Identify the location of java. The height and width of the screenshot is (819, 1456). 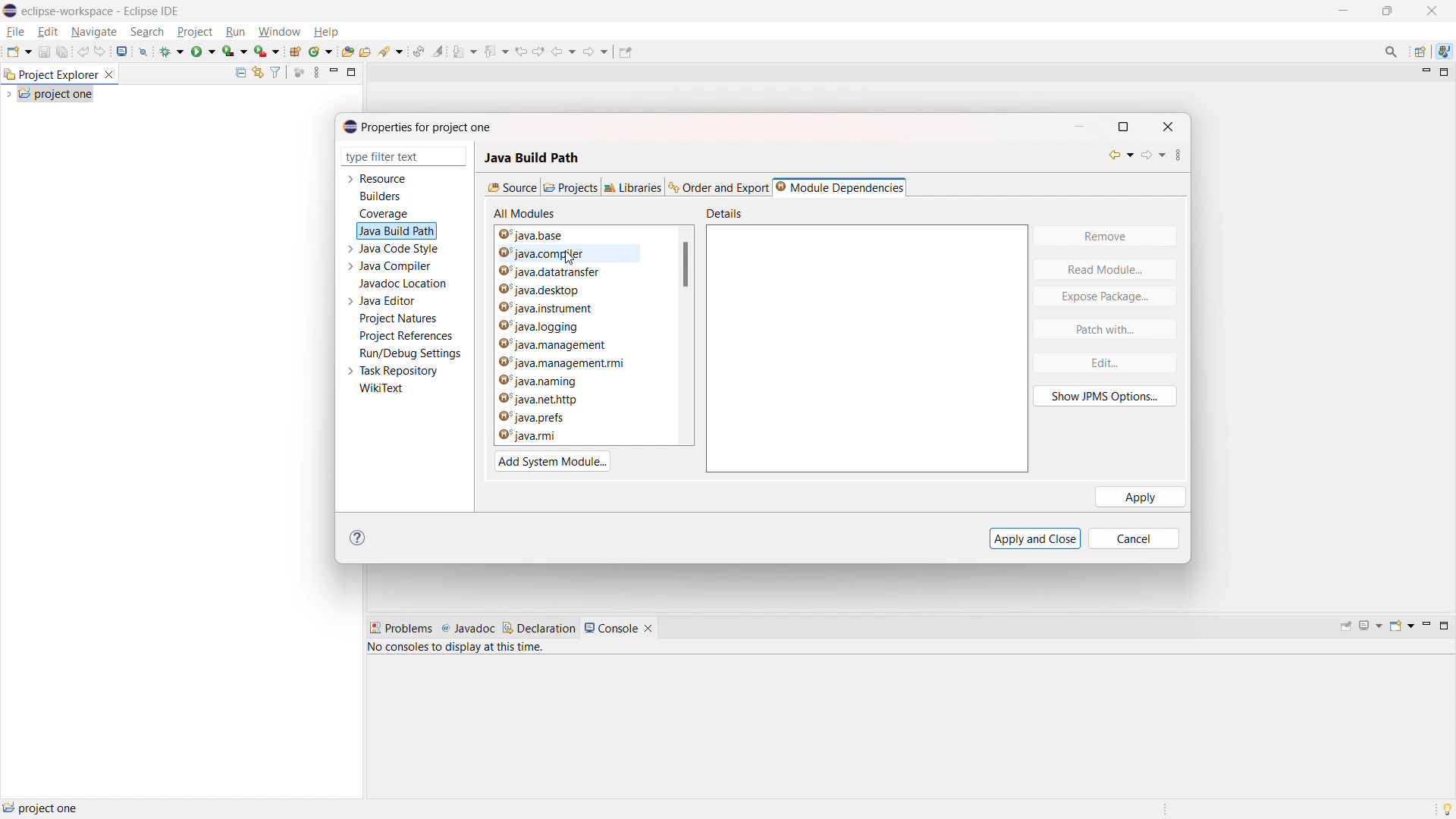
(1444, 52).